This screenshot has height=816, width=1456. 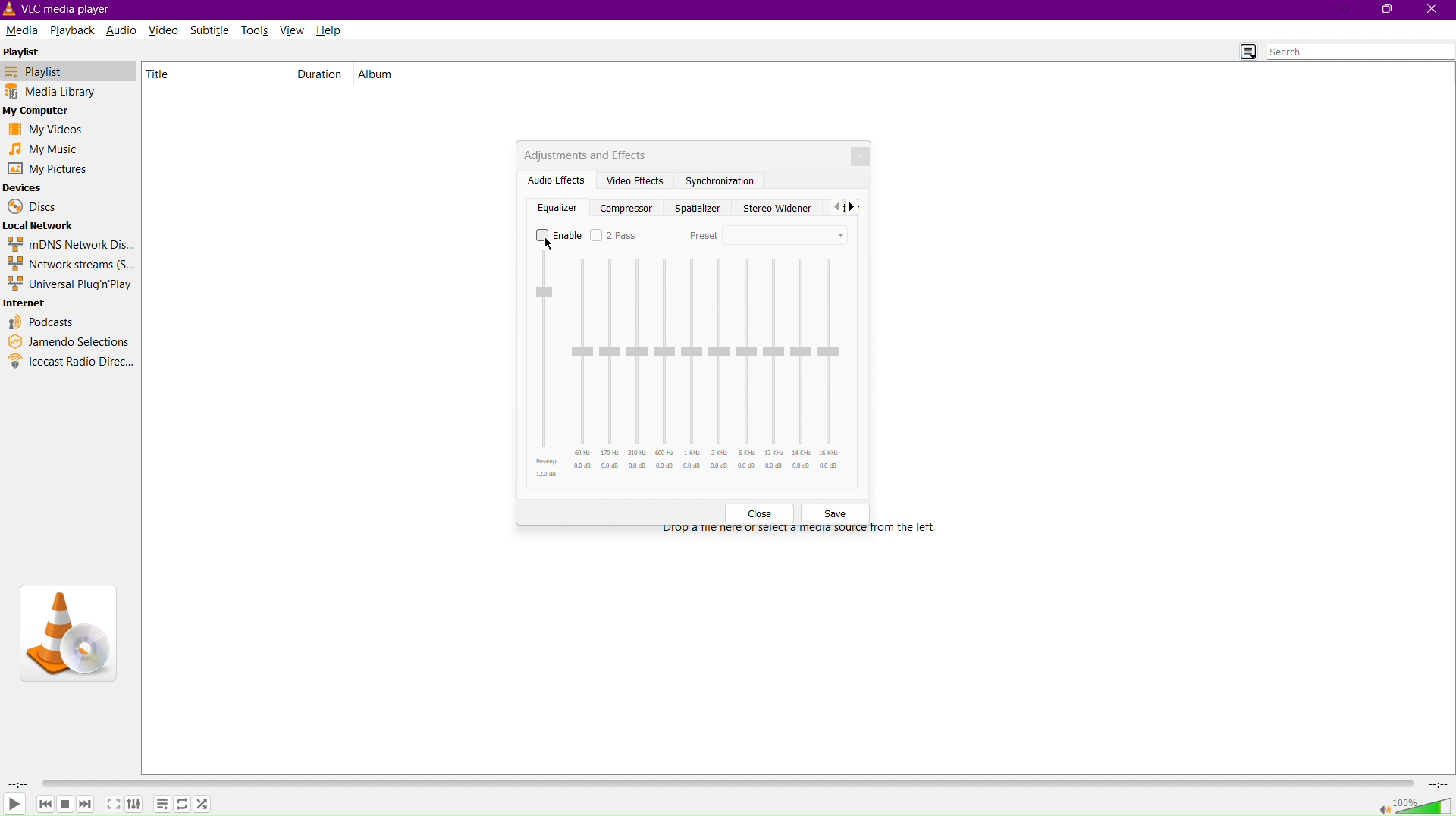 What do you see at coordinates (44, 802) in the screenshot?
I see `Backward` at bounding box center [44, 802].